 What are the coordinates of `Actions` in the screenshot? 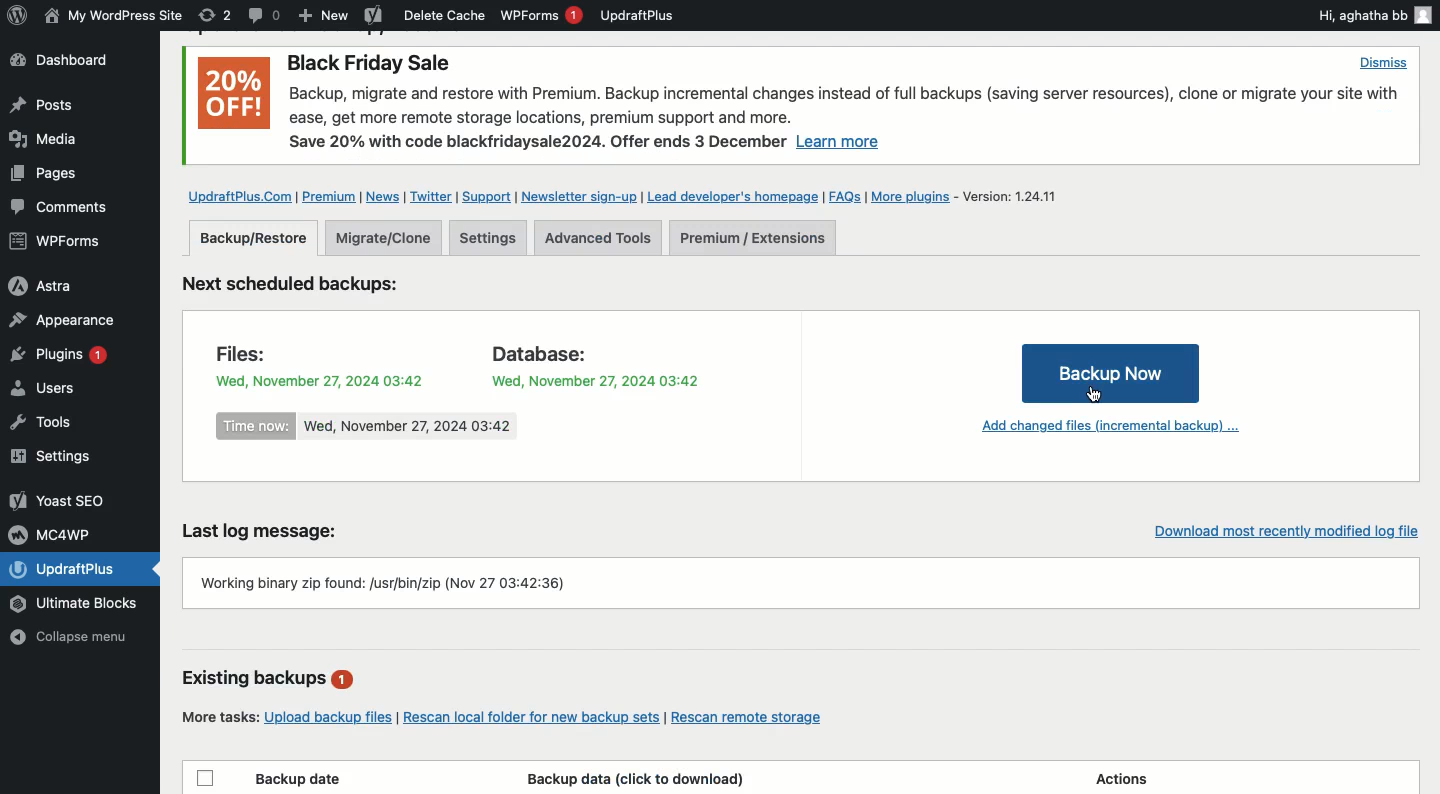 It's located at (1116, 778).